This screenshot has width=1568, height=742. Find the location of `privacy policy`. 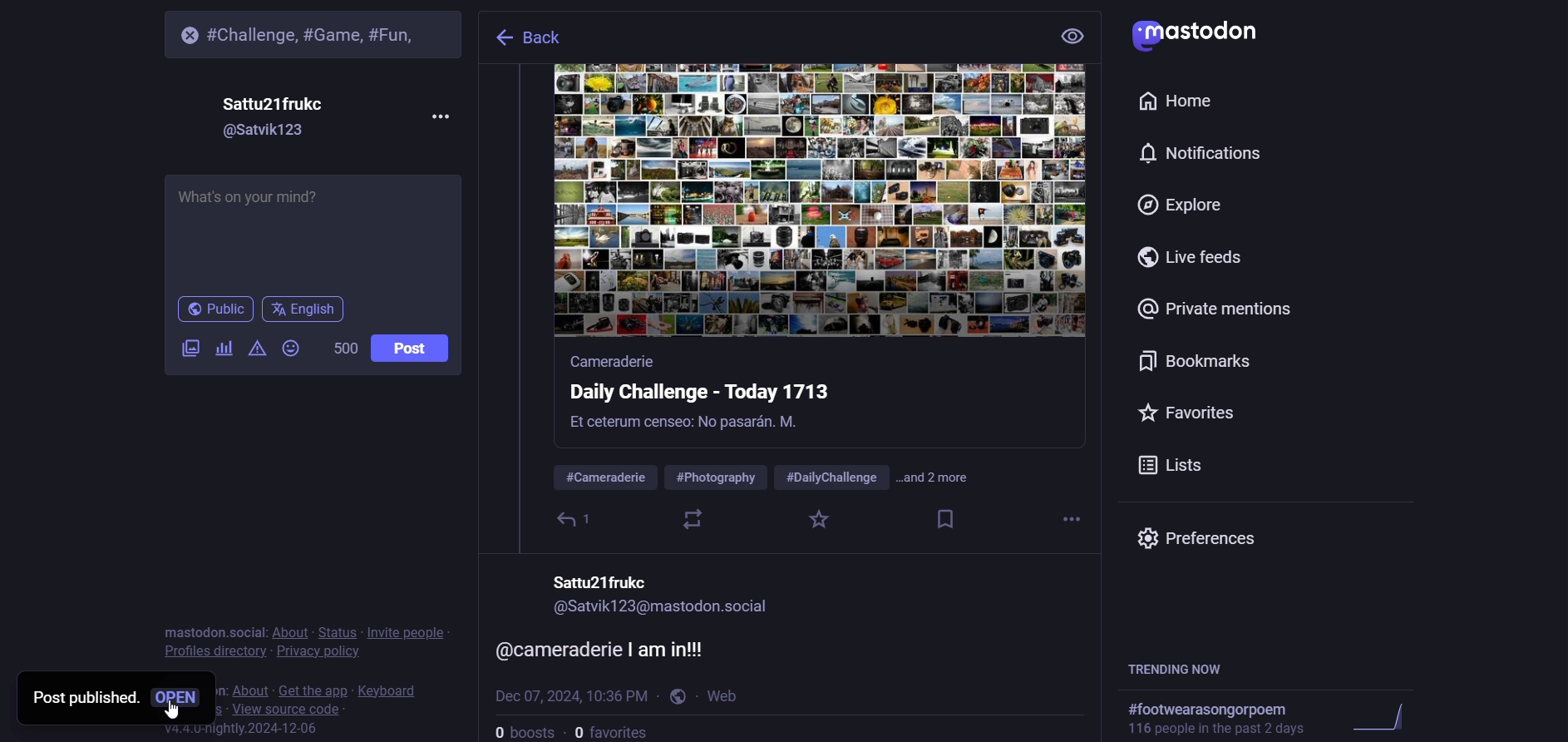

privacy policy is located at coordinates (317, 650).